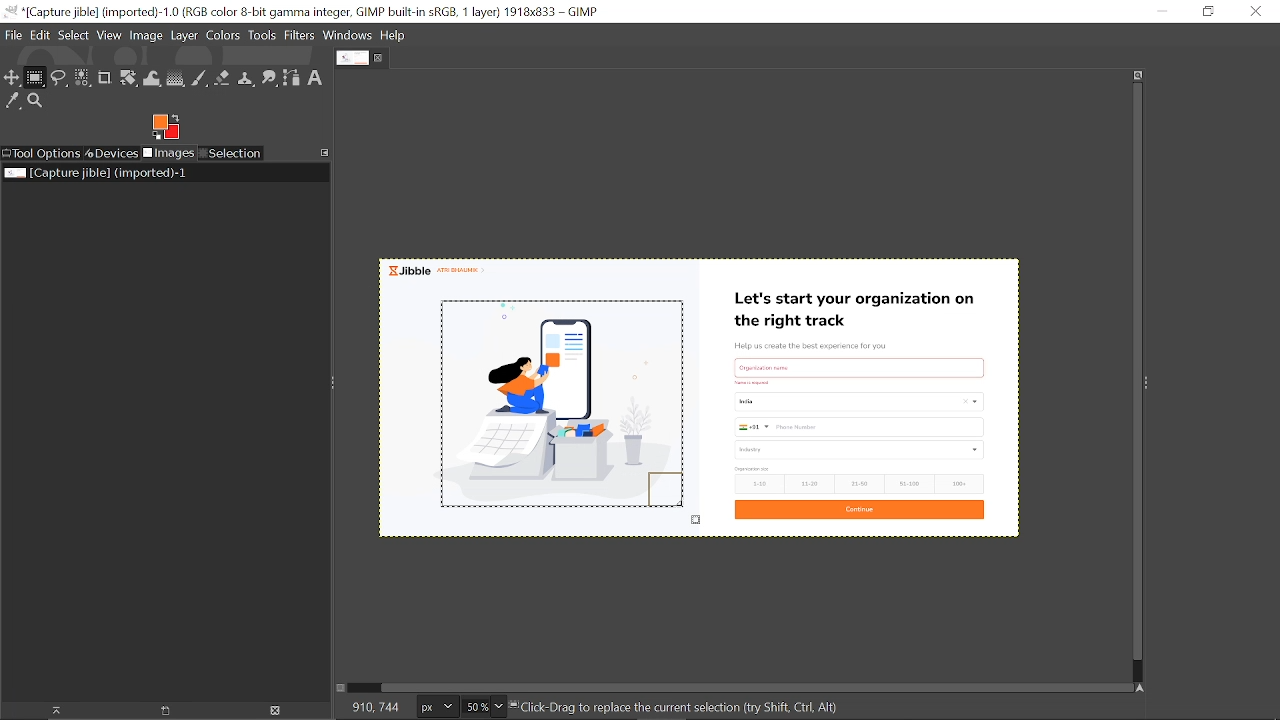 Image resolution: width=1280 pixels, height=720 pixels. I want to click on Edit, so click(40, 34).